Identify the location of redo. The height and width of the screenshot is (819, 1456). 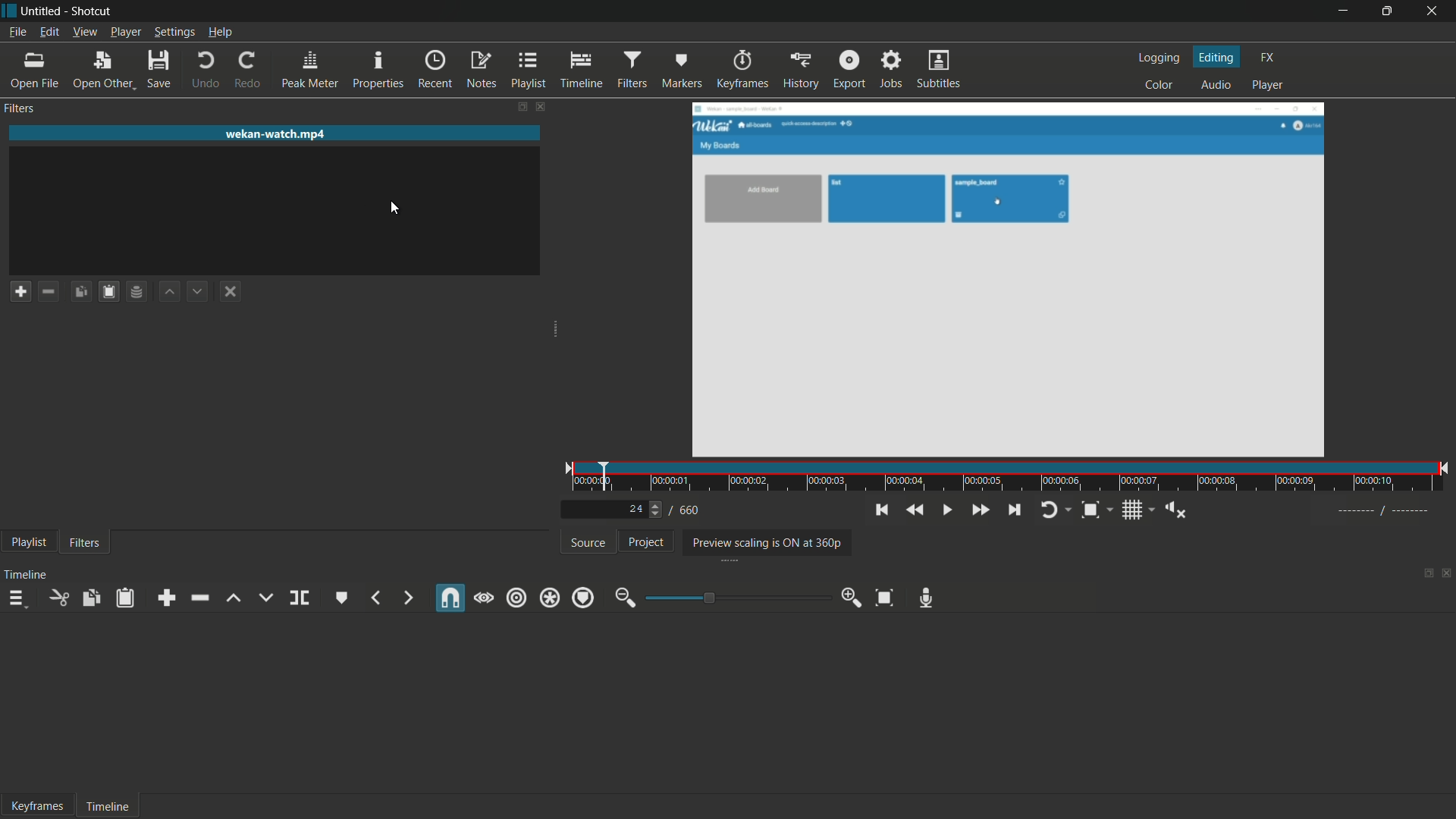
(251, 69).